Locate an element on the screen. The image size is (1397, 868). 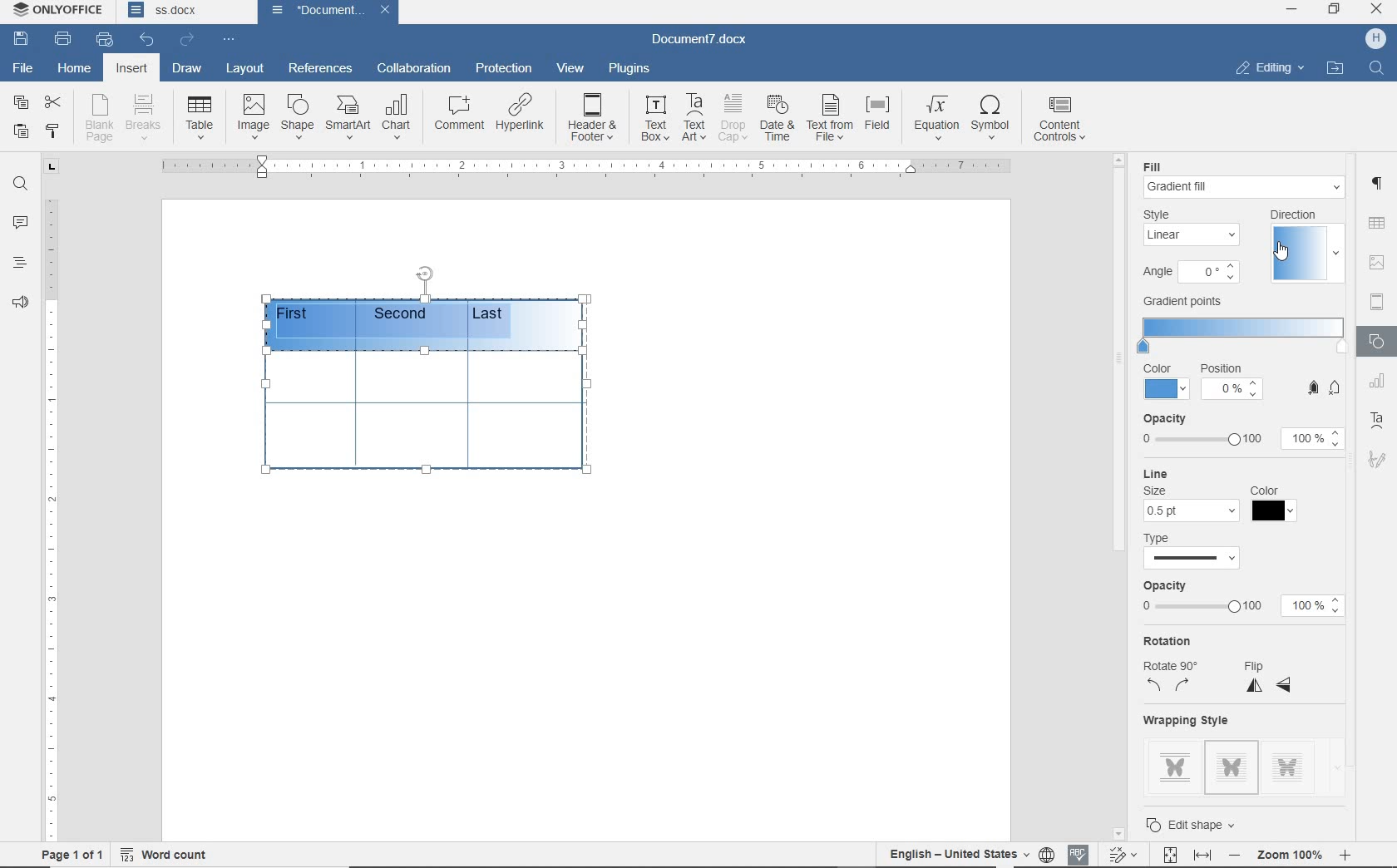
drop cap is located at coordinates (733, 118).